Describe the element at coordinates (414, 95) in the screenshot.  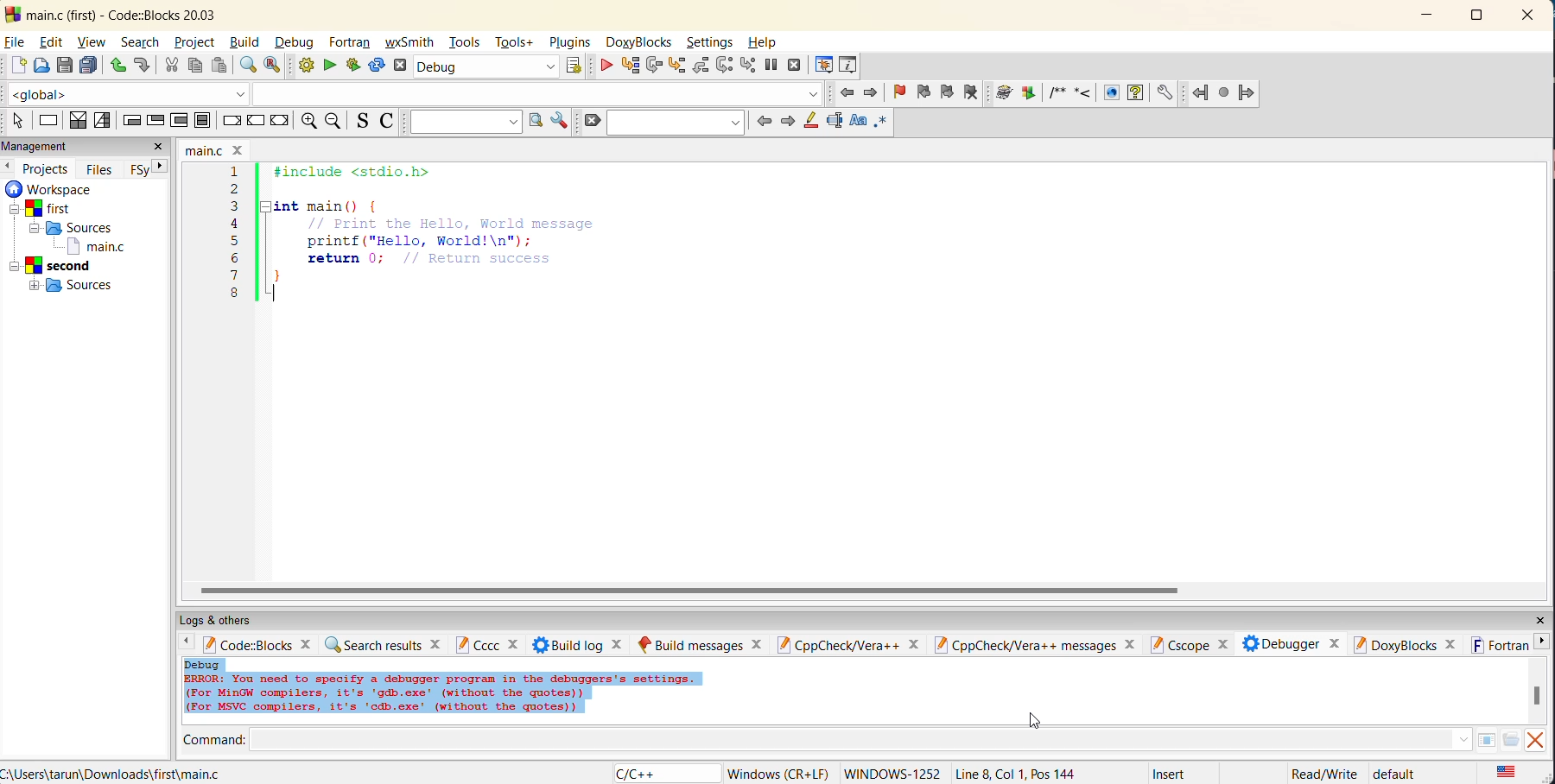
I see `code completion compiler` at that location.